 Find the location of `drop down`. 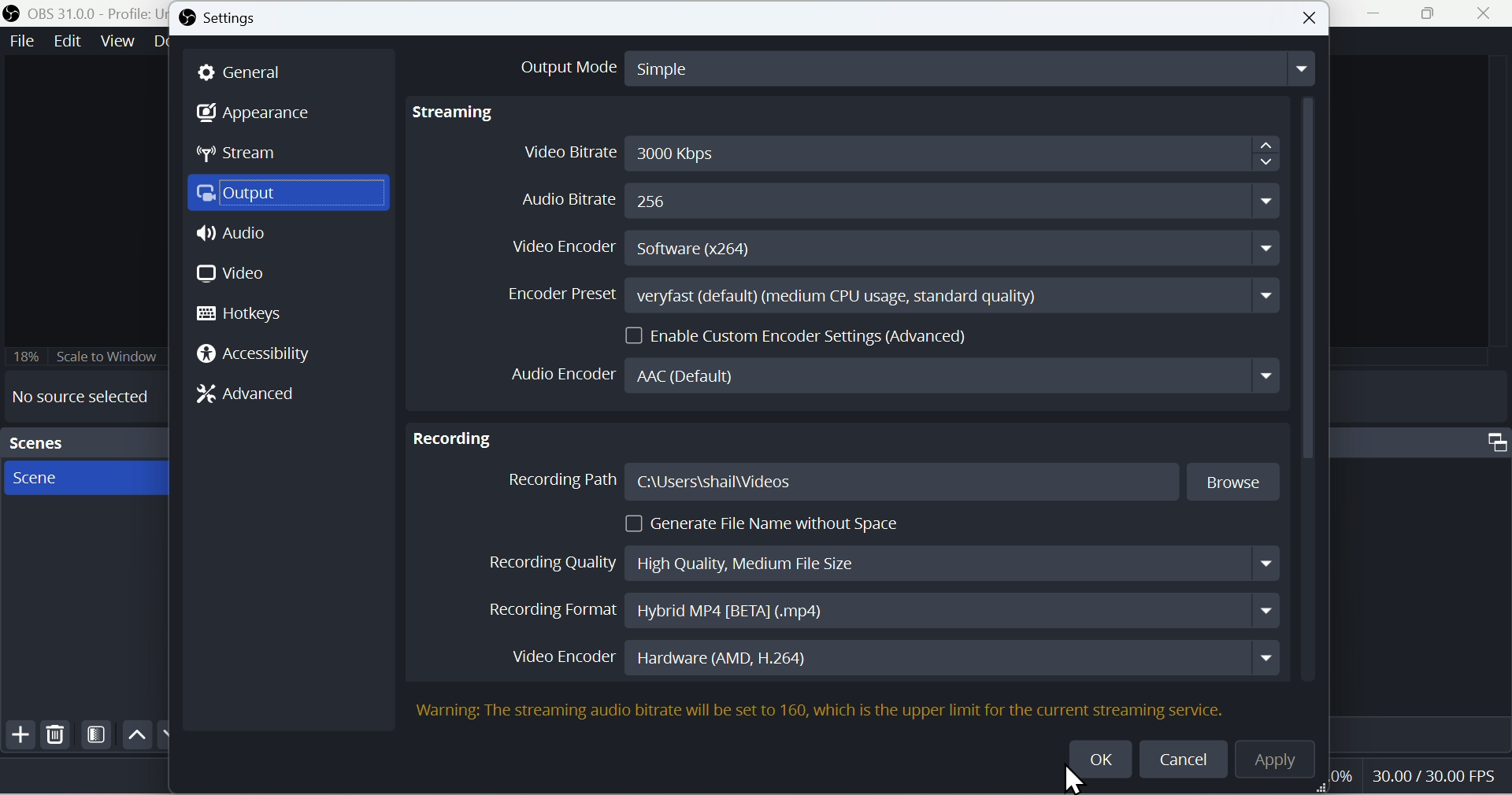

drop down is located at coordinates (1265, 201).